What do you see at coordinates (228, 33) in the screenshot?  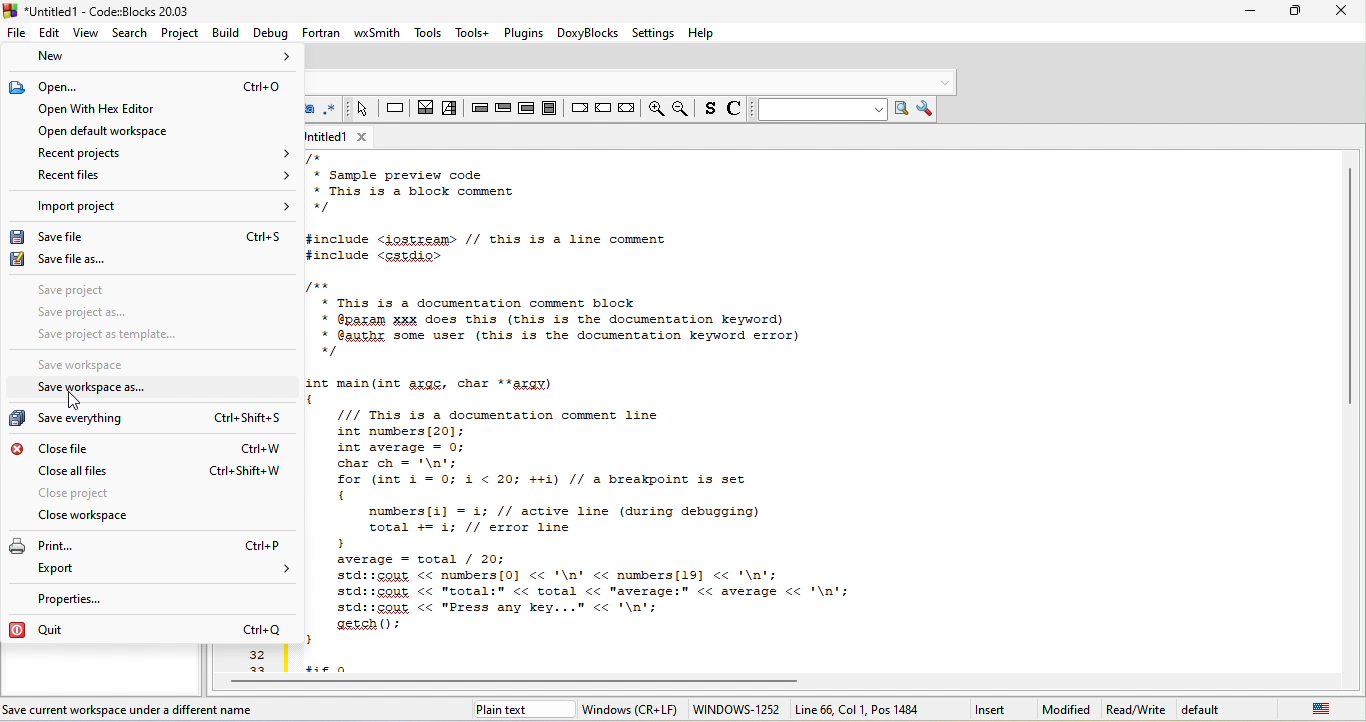 I see `build` at bounding box center [228, 33].